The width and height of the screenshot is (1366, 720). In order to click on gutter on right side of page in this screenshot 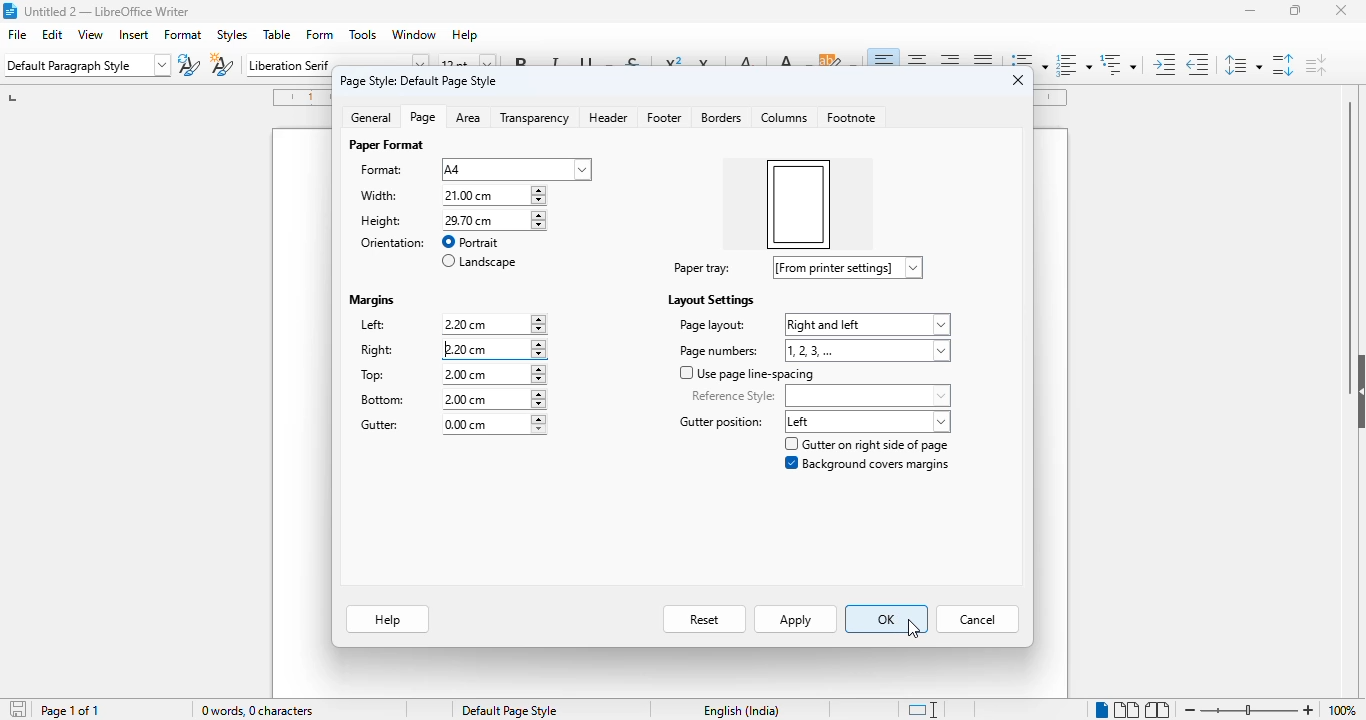, I will do `click(868, 444)`.